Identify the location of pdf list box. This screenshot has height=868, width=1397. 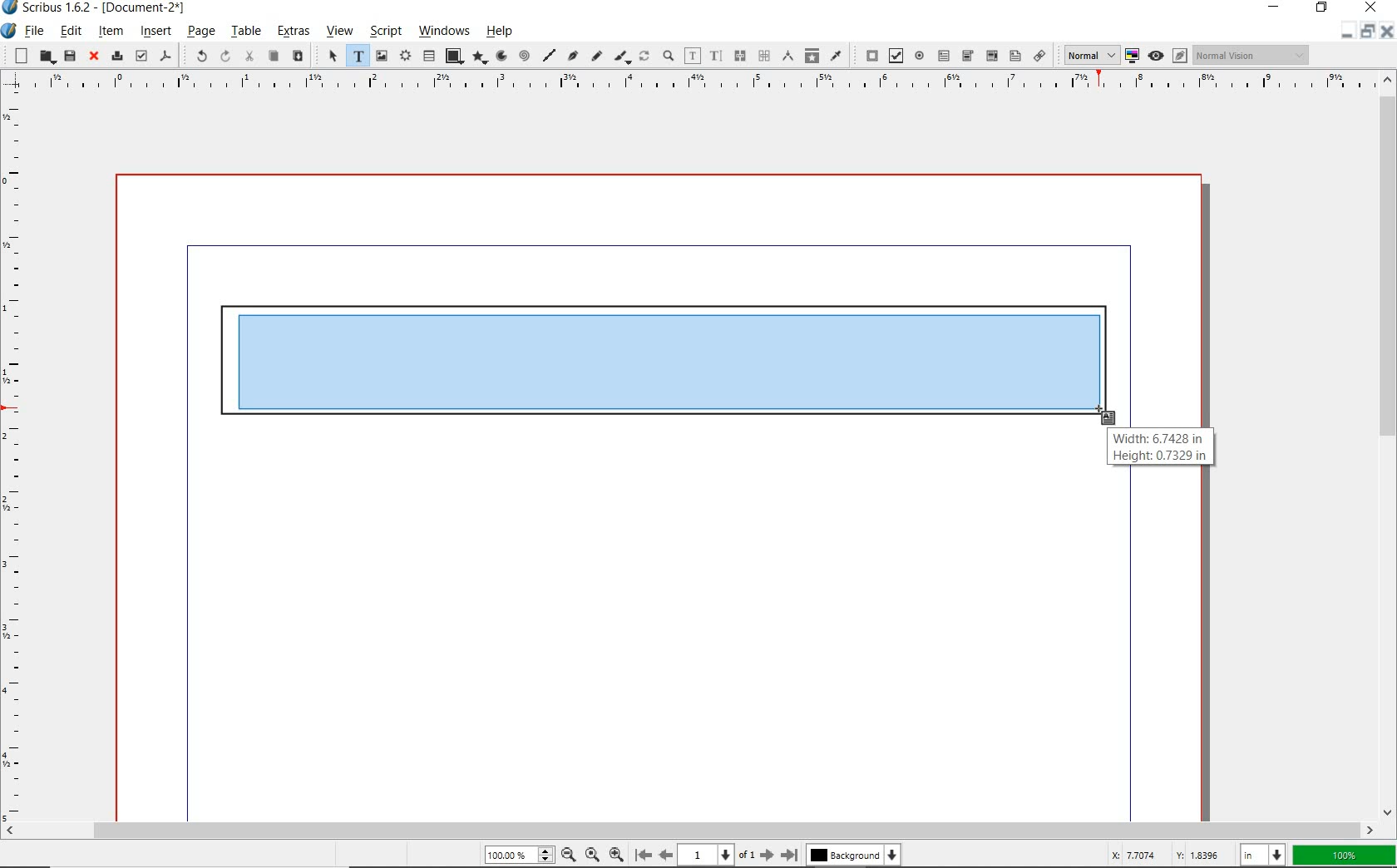
(1014, 55).